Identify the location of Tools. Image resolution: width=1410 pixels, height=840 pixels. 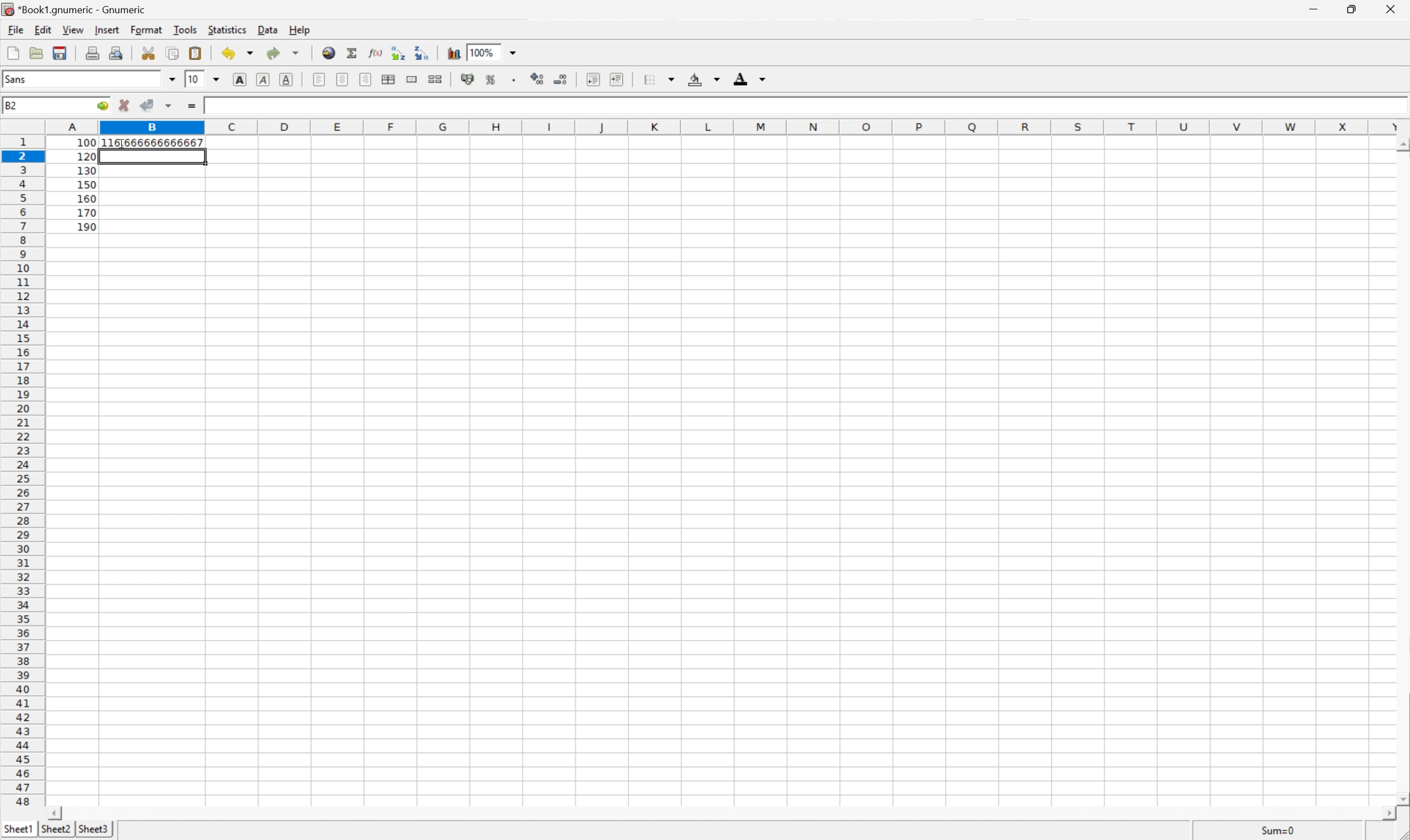
(188, 30).